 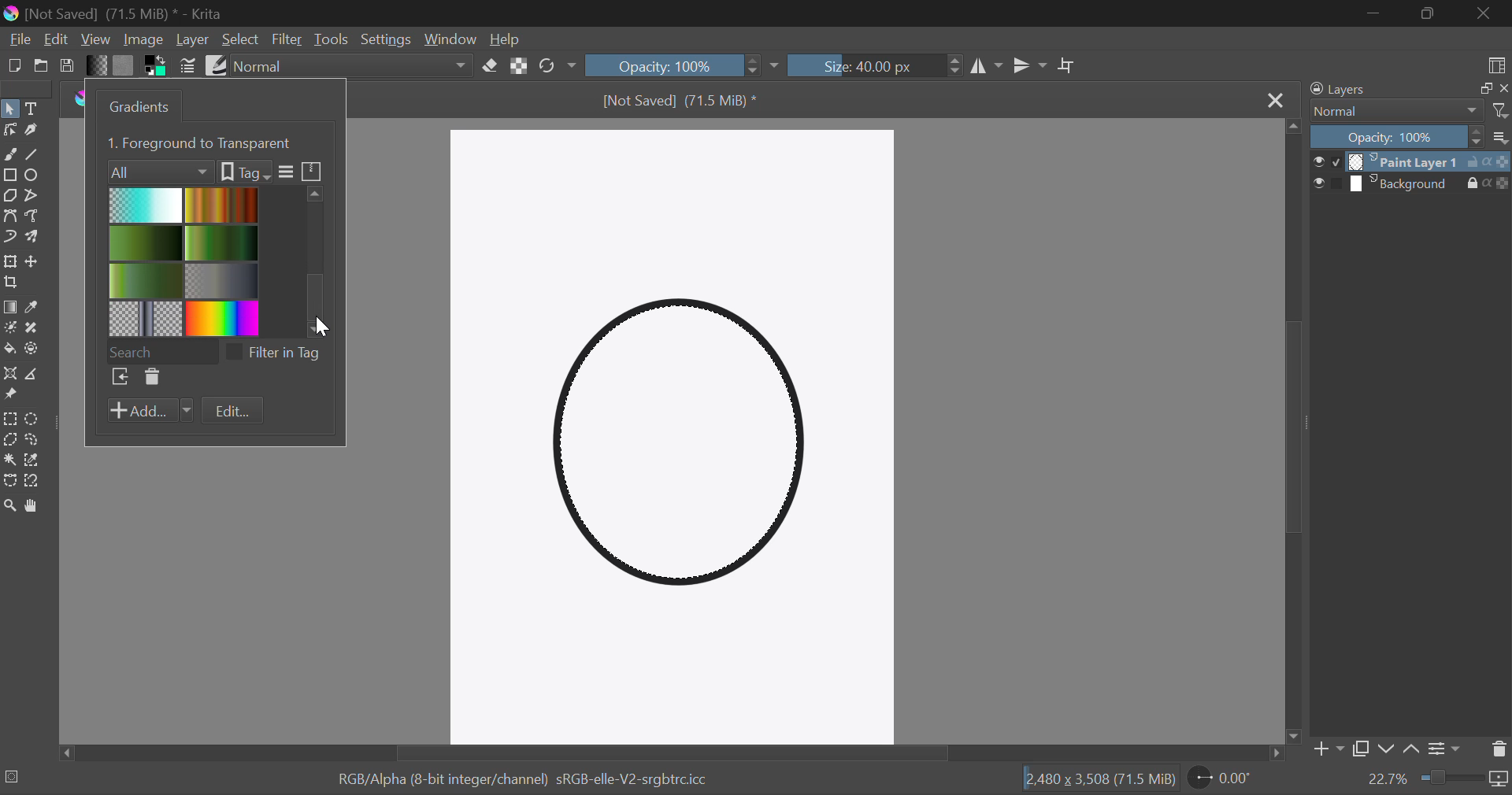 What do you see at coordinates (1276, 102) in the screenshot?
I see `Close` at bounding box center [1276, 102].